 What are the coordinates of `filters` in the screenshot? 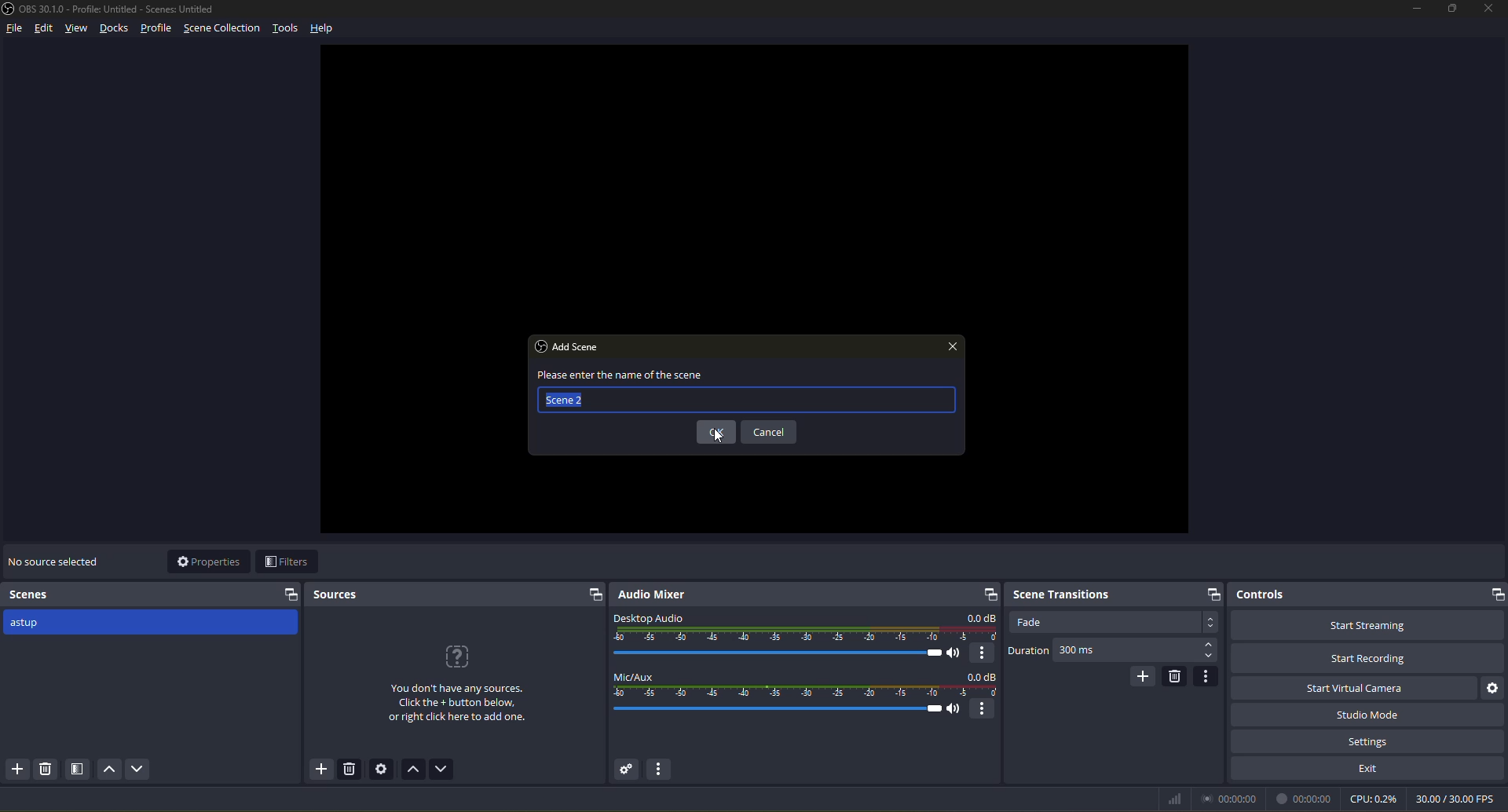 It's located at (286, 561).